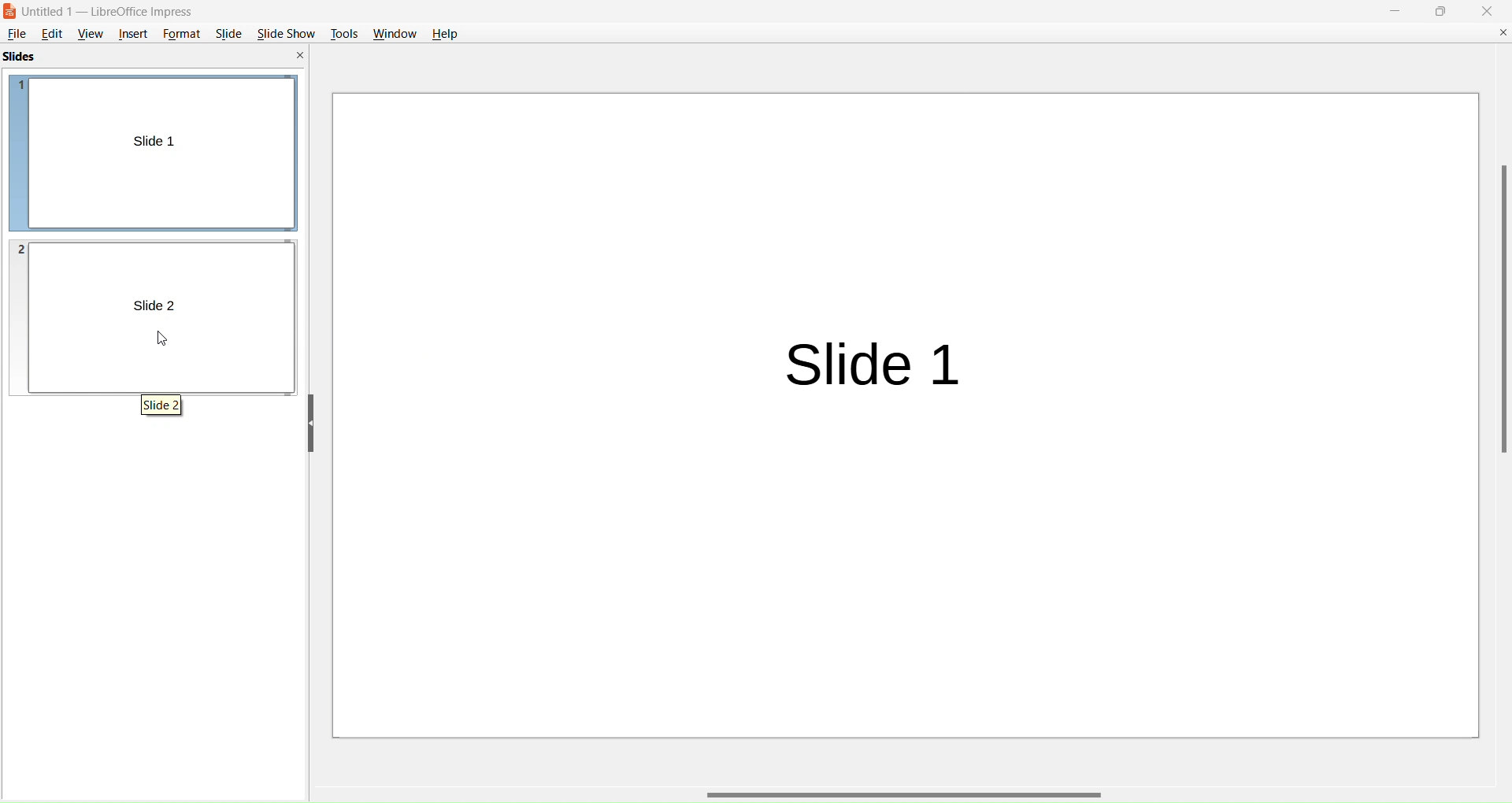 Image resolution: width=1512 pixels, height=803 pixels. Describe the element at coordinates (183, 35) in the screenshot. I see `format` at that location.